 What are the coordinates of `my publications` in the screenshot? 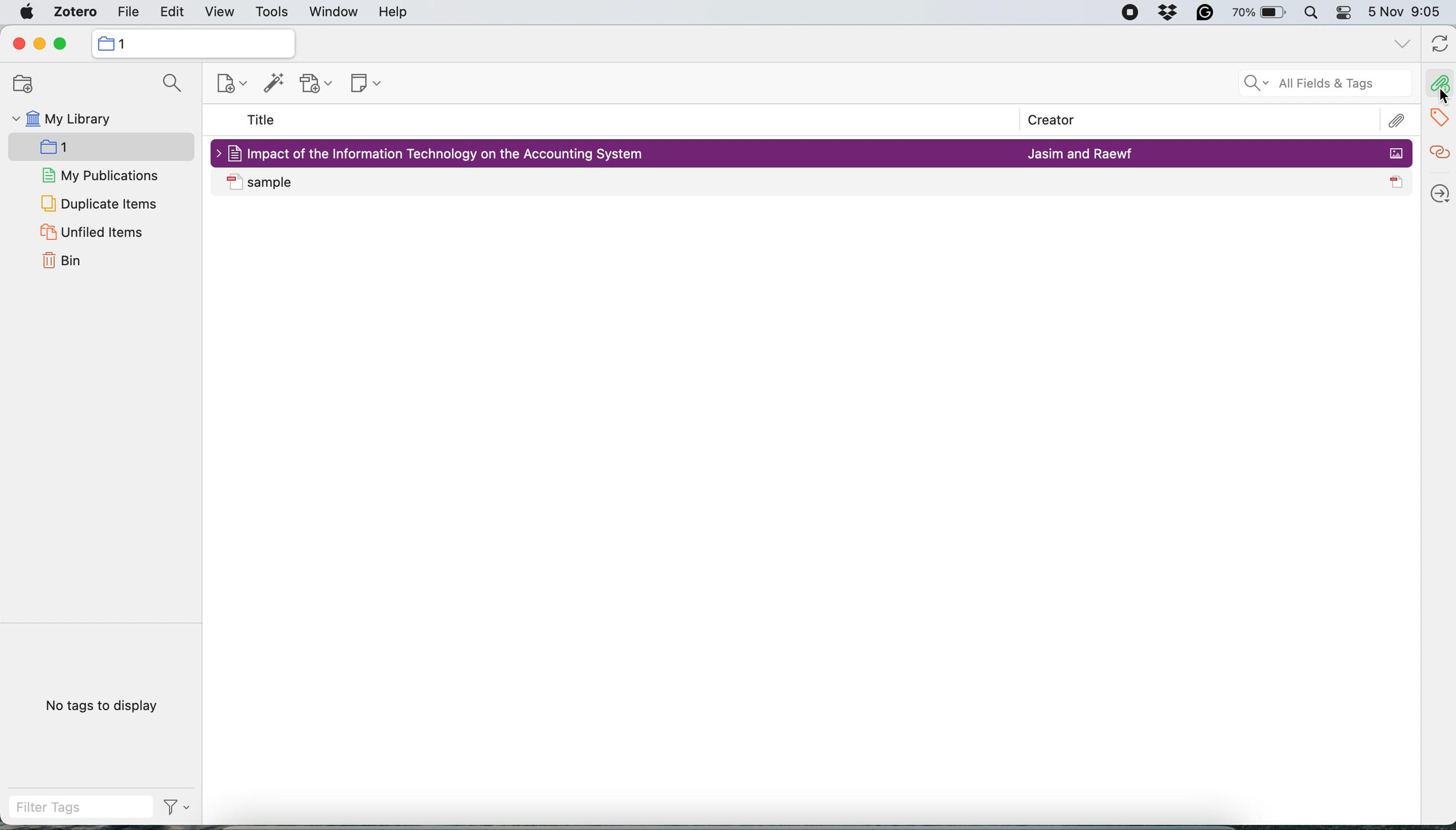 It's located at (101, 177).